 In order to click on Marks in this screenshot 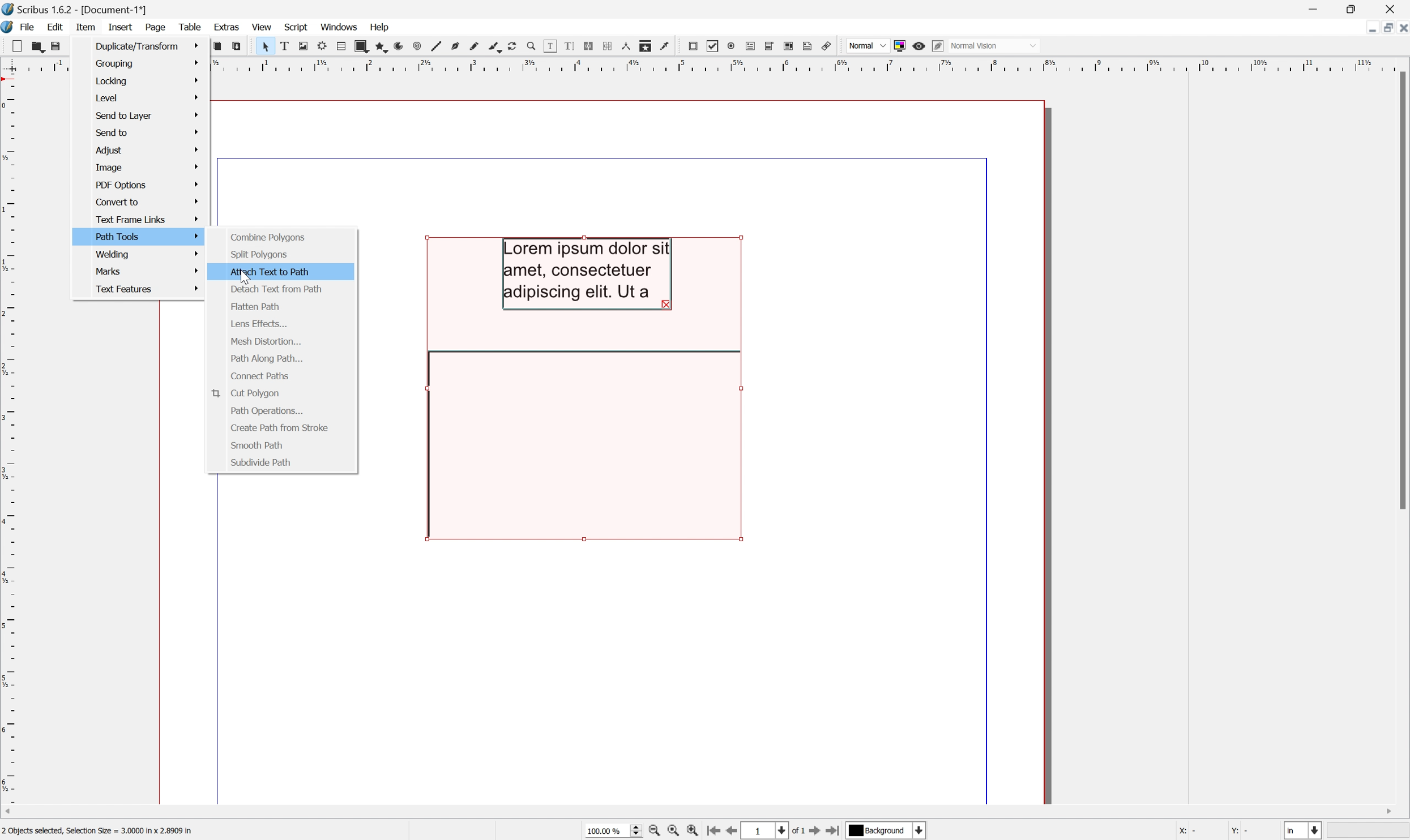, I will do `click(149, 271)`.